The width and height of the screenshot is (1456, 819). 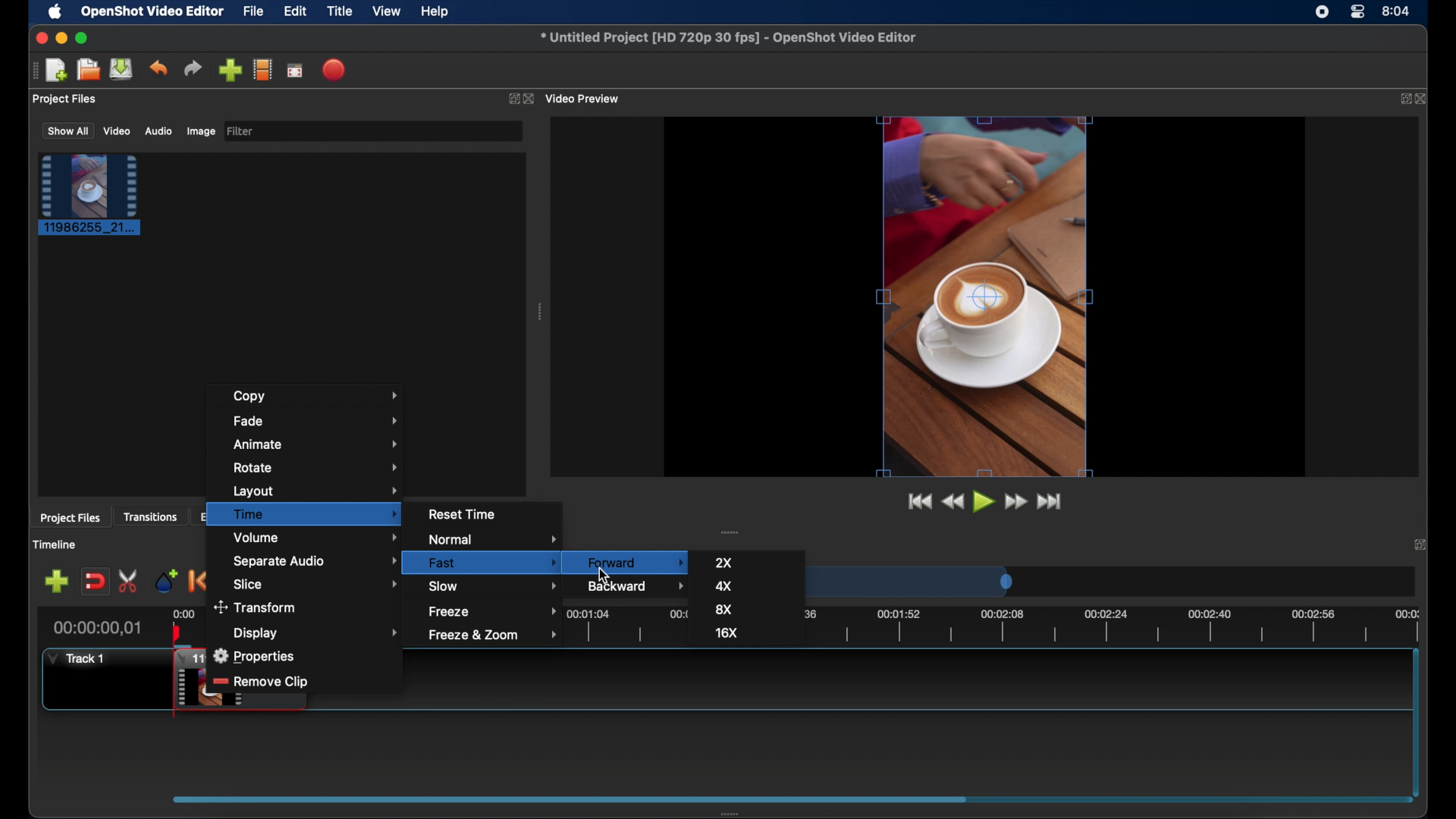 I want to click on drag handle, so click(x=32, y=71).